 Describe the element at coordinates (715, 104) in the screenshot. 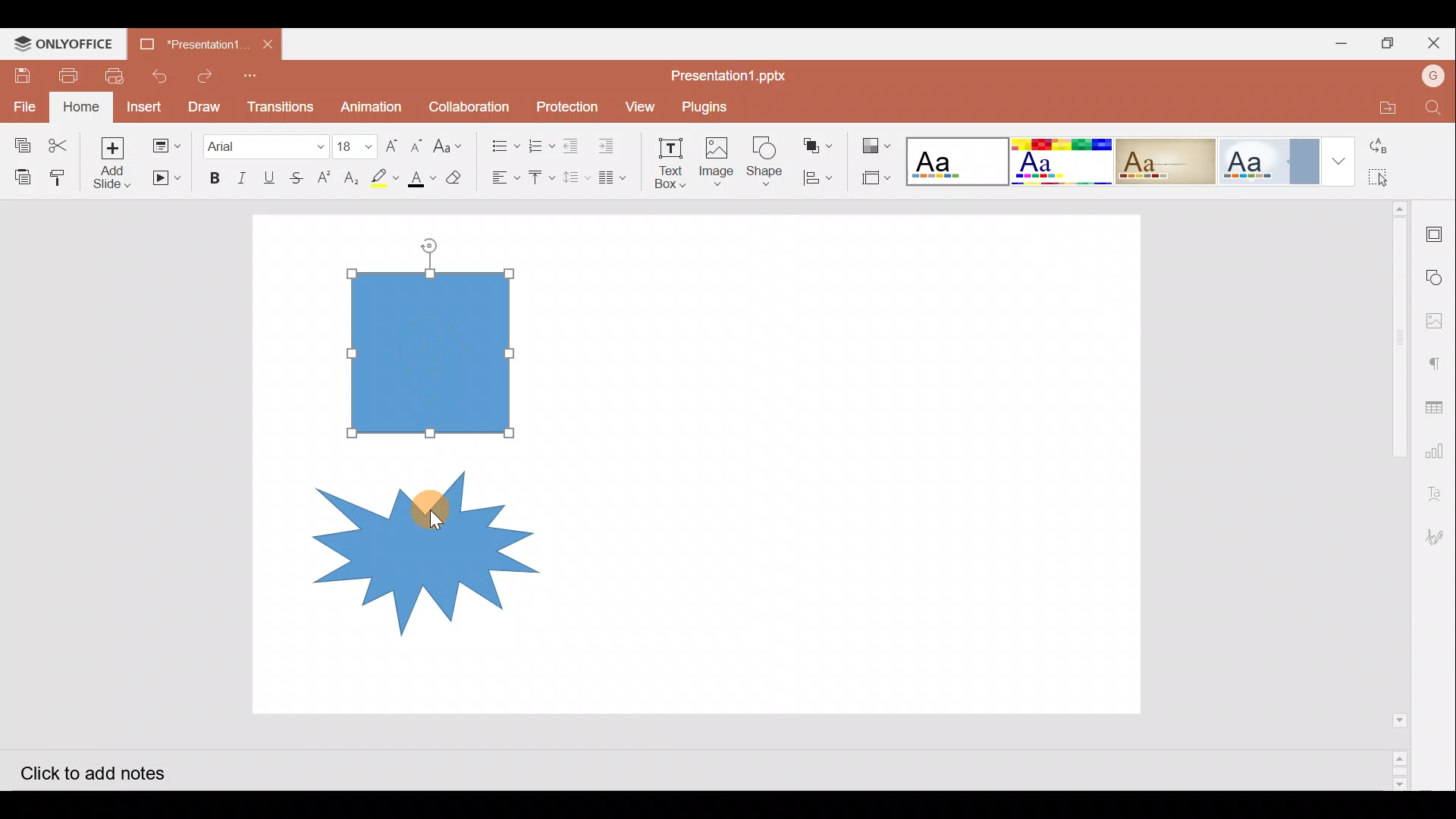

I see `Plugins` at that location.